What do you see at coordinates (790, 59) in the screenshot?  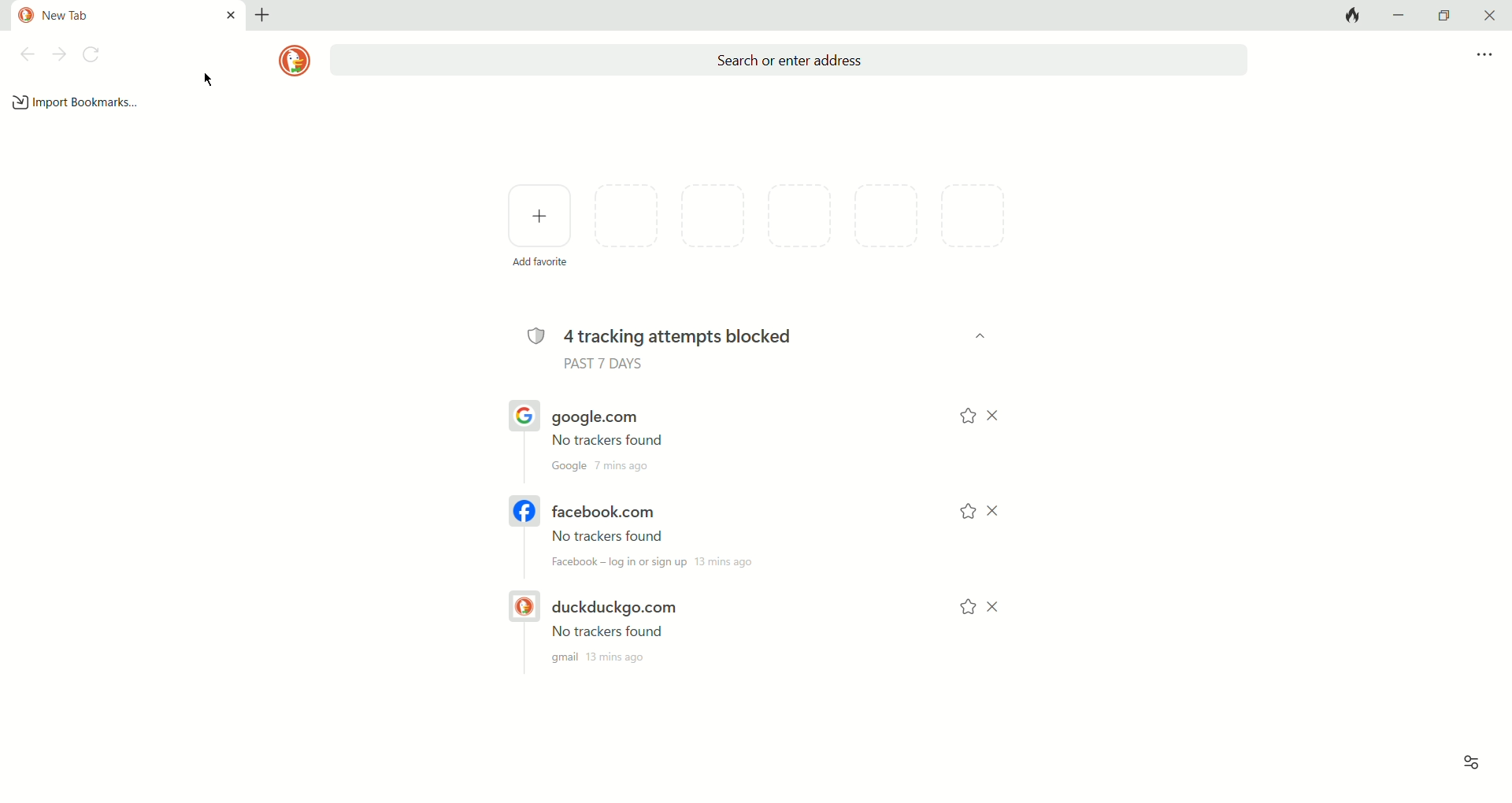 I see `search` at bounding box center [790, 59].